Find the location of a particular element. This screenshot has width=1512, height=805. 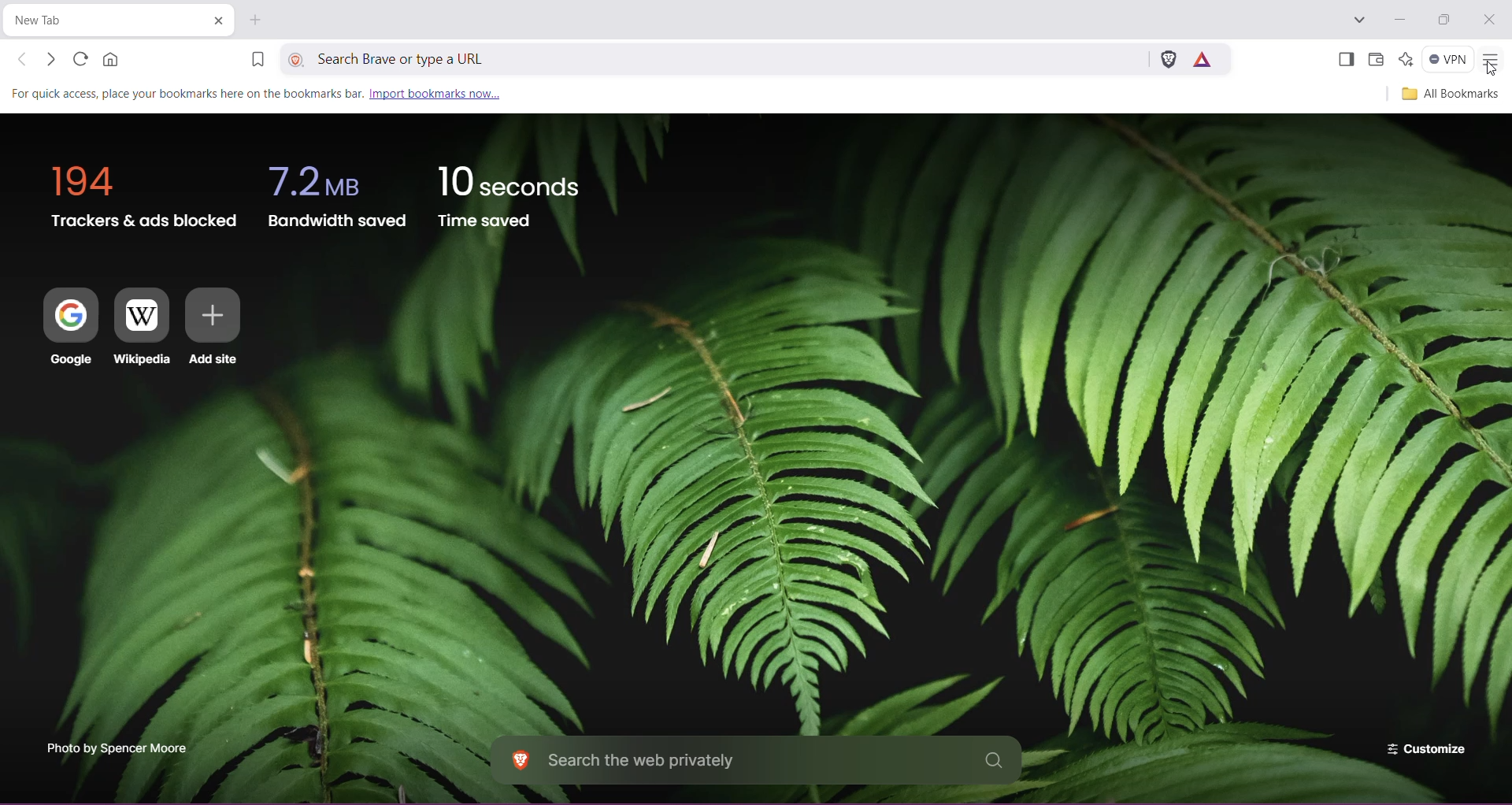

Site Information is located at coordinates (298, 58).